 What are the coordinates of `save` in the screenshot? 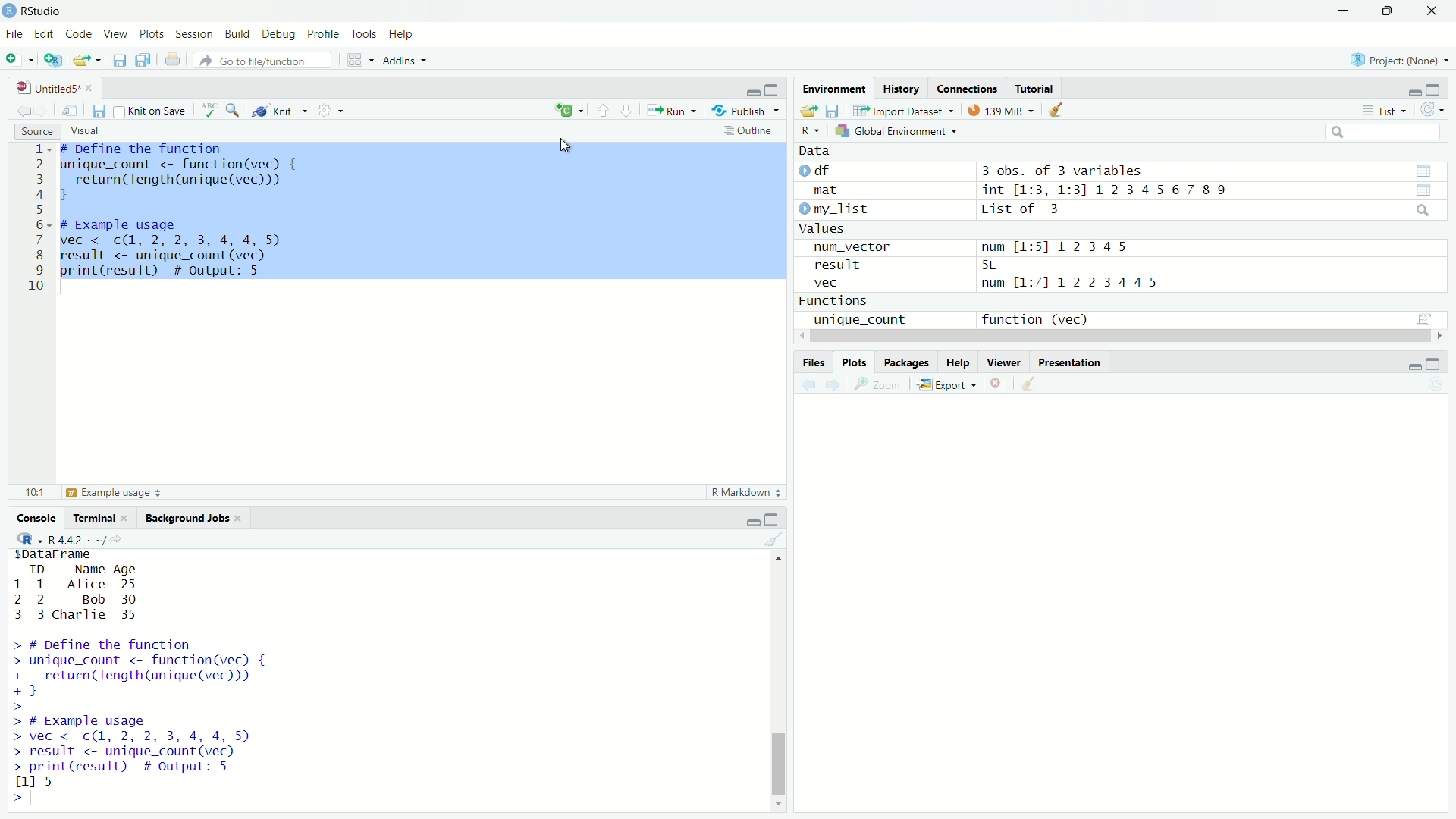 It's located at (834, 110).